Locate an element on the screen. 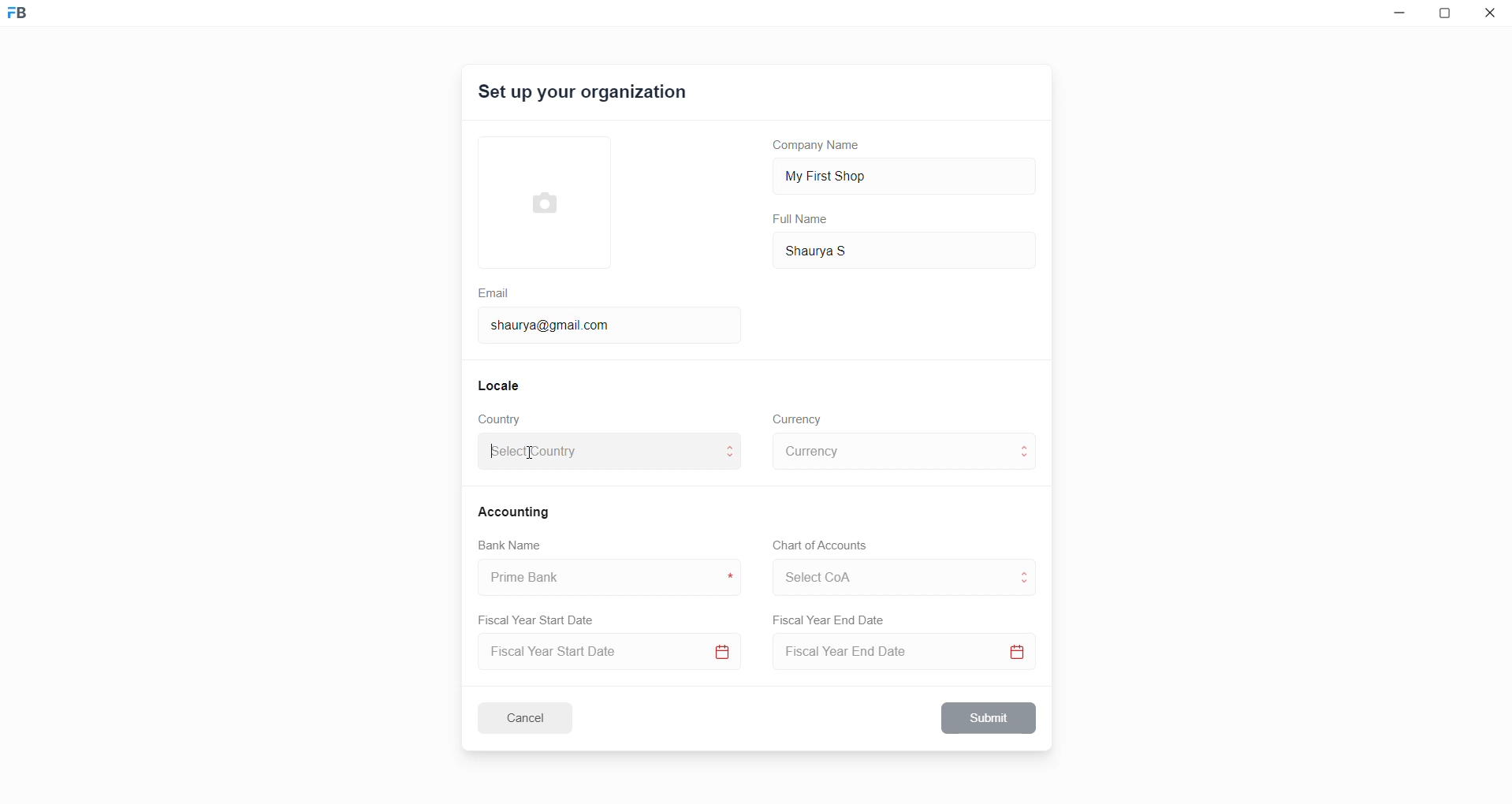 This screenshot has width=1512, height=804. Country is located at coordinates (503, 419).